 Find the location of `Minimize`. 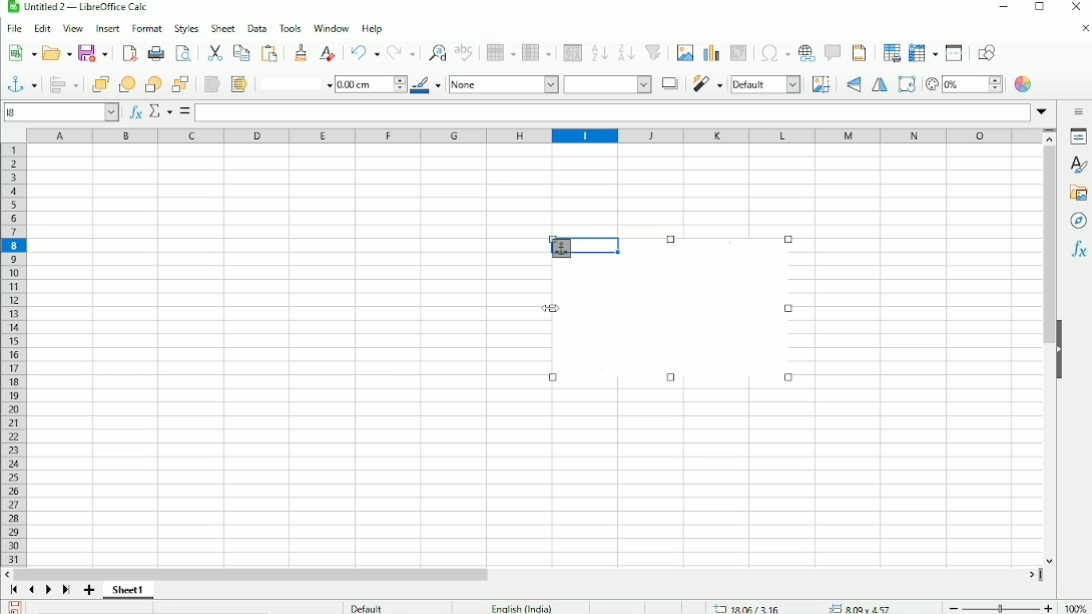

Minimize is located at coordinates (1001, 8).